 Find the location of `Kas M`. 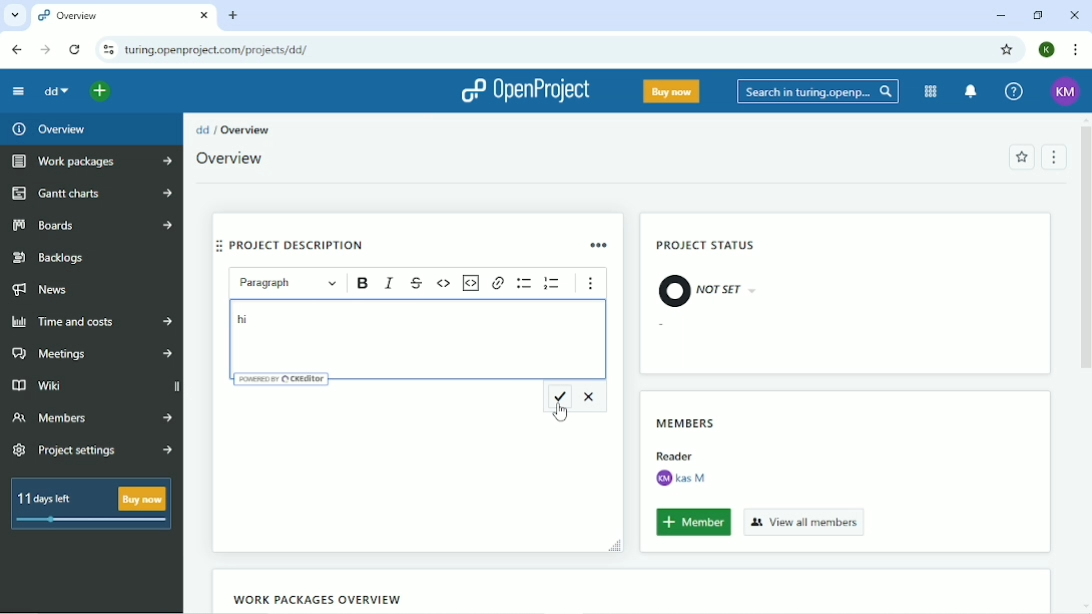

Kas M is located at coordinates (680, 478).